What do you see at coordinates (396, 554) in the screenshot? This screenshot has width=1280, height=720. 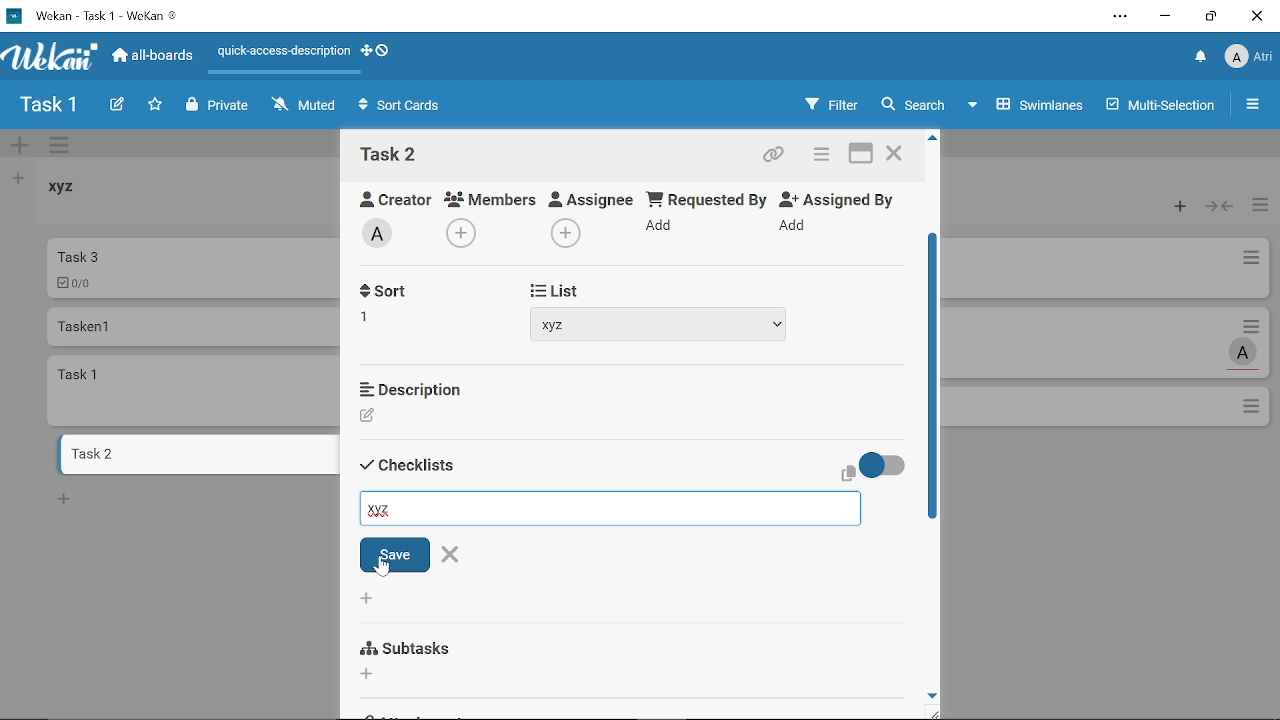 I see `Save checklist` at bounding box center [396, 554].